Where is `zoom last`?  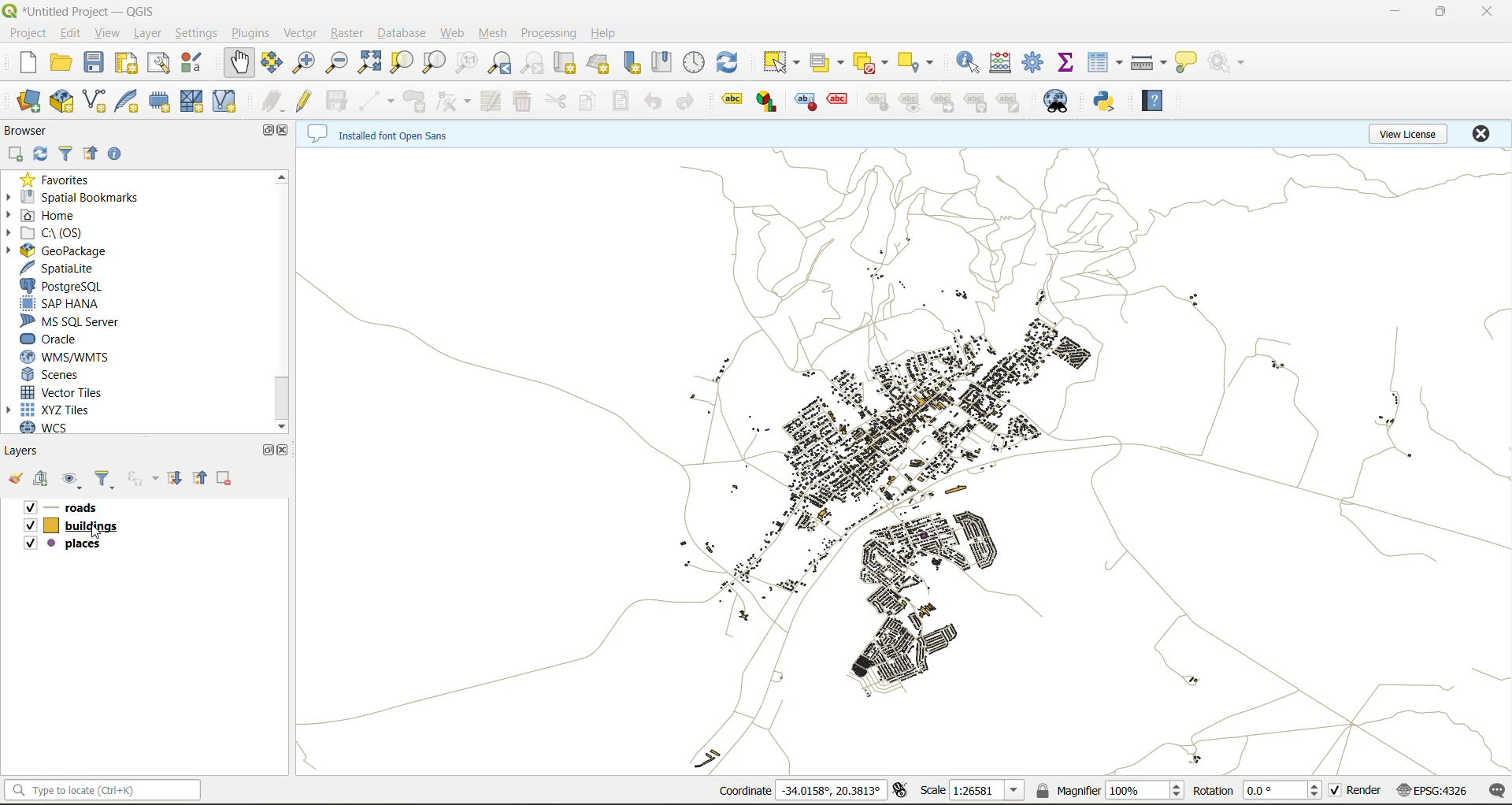 zoom last is located at coordinates (498, 63).